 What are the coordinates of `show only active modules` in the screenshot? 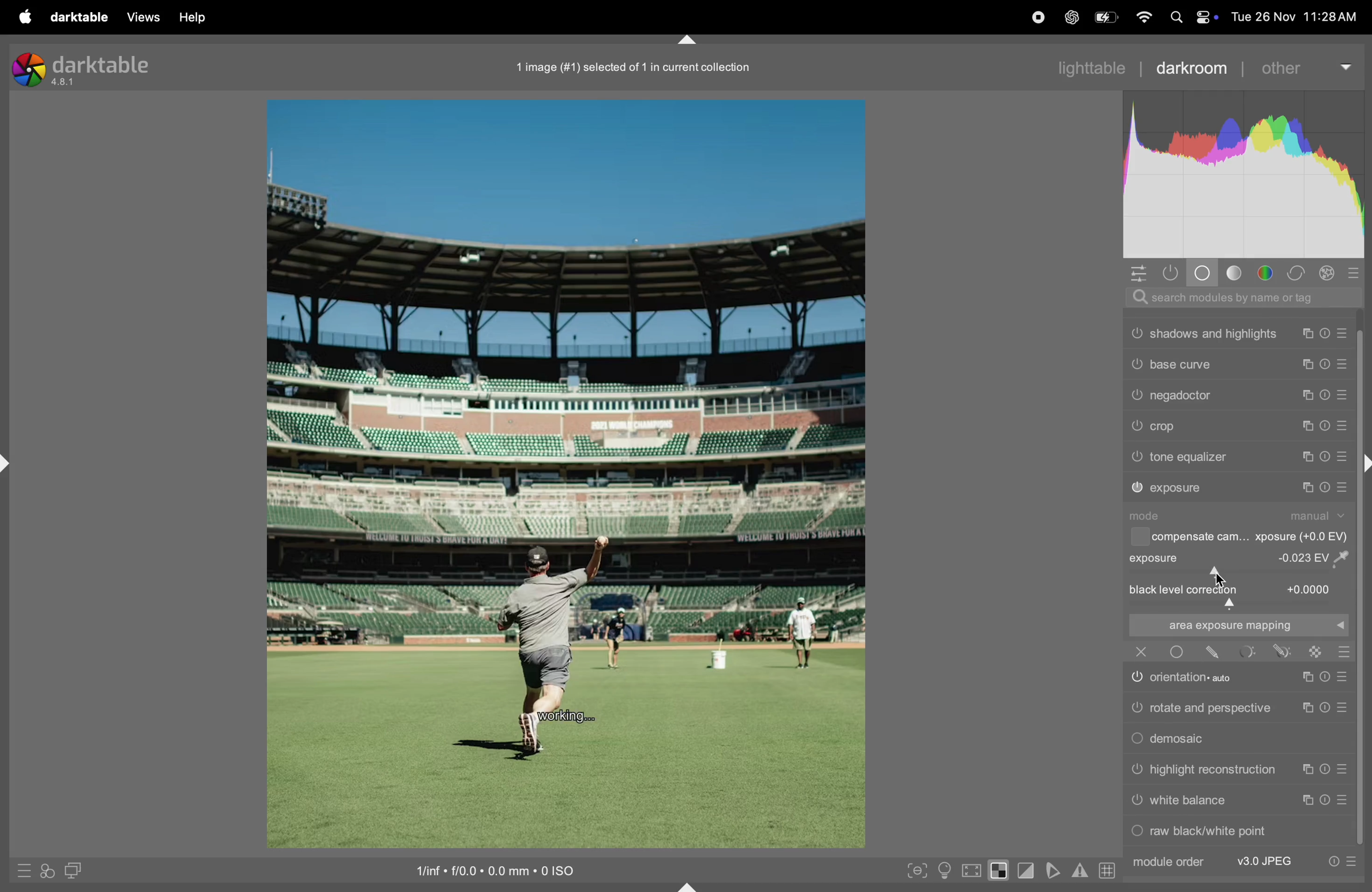 It's located at (1175, 273).